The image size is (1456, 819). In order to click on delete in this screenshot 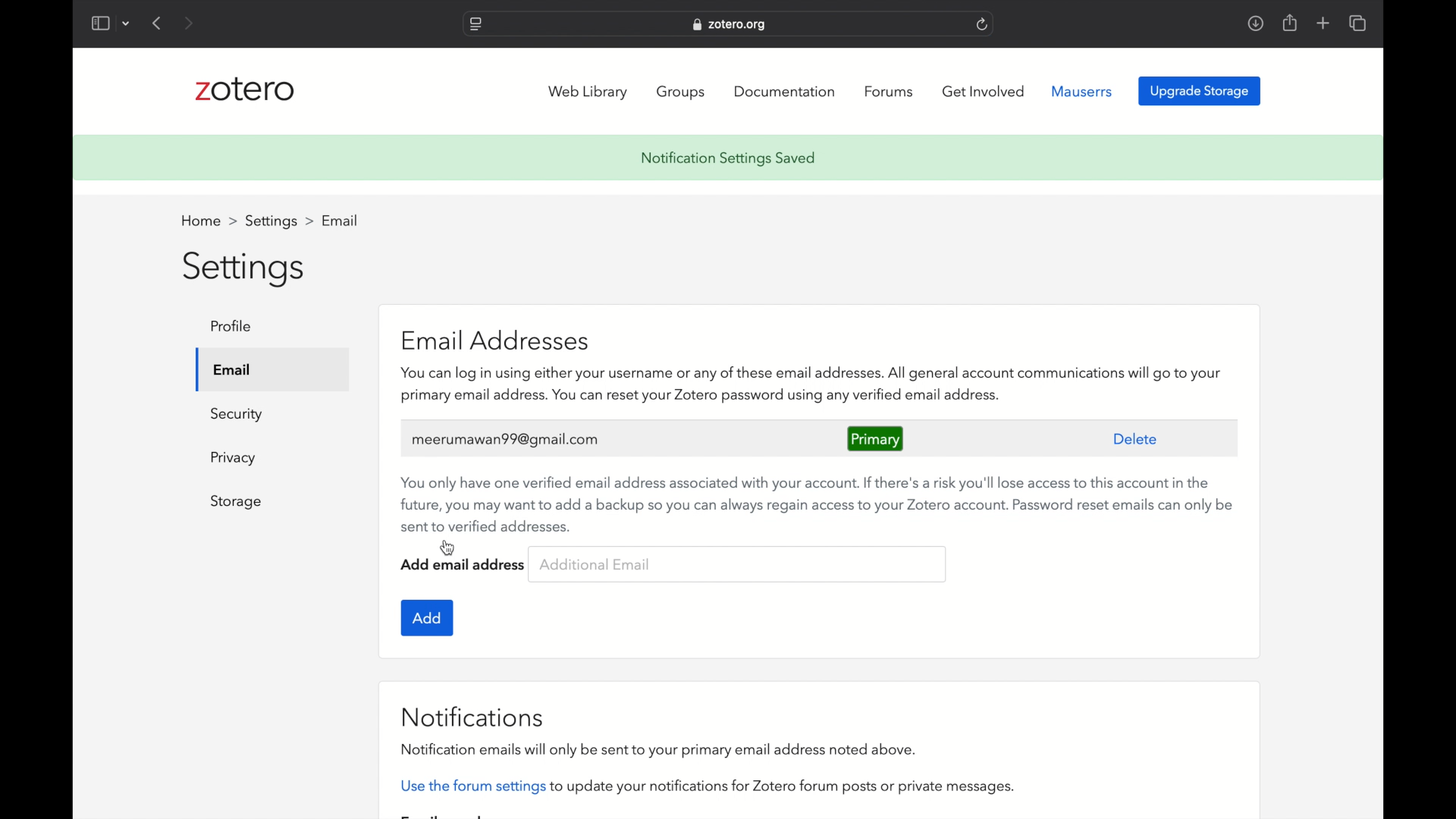, I will do `click(1136, 440)`.